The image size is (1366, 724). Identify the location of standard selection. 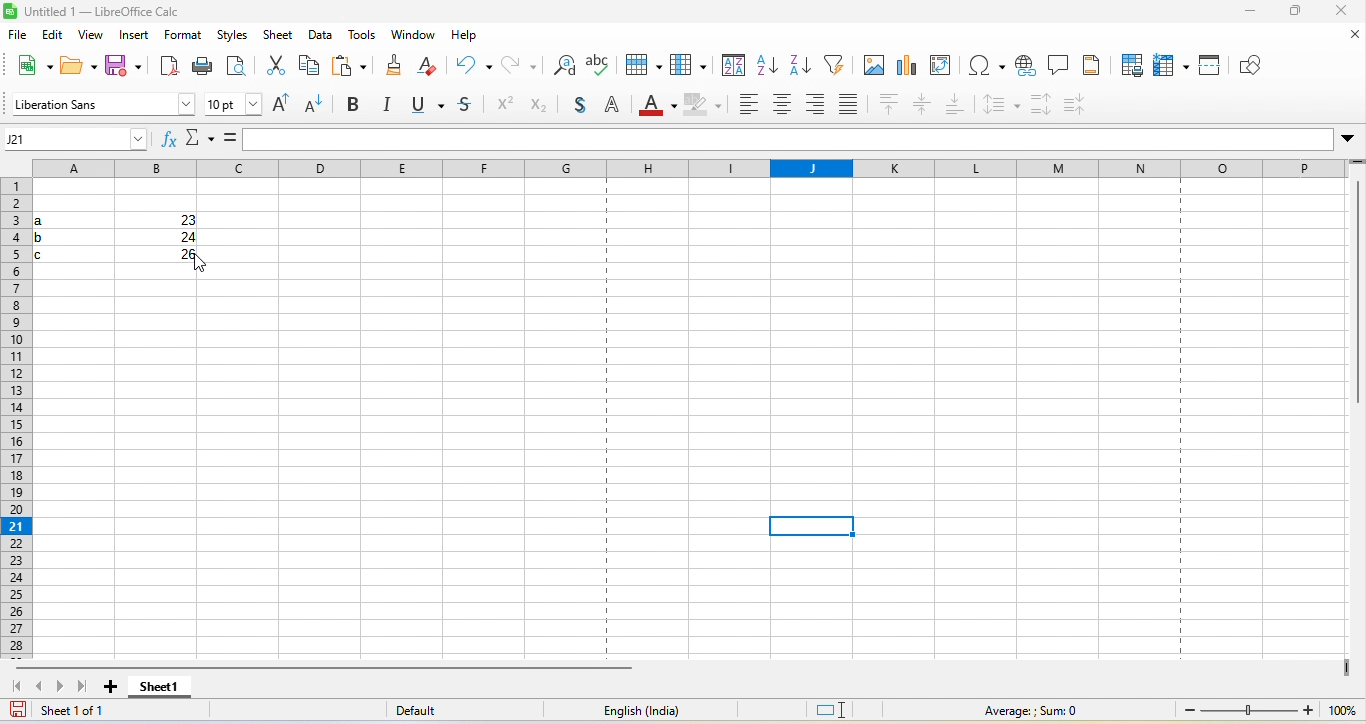
(840, 709).